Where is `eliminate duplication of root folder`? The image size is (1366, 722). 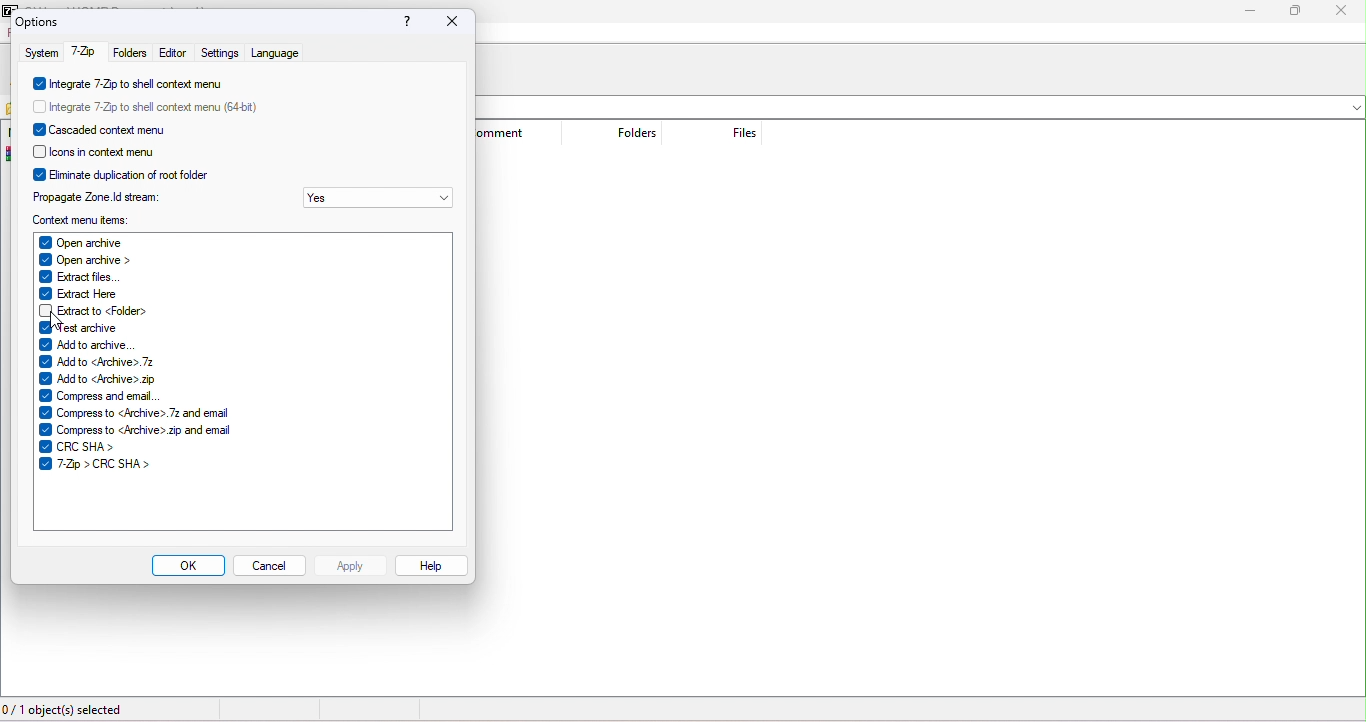 eliminate duplication of root folder is located at coordinates (127, 172).